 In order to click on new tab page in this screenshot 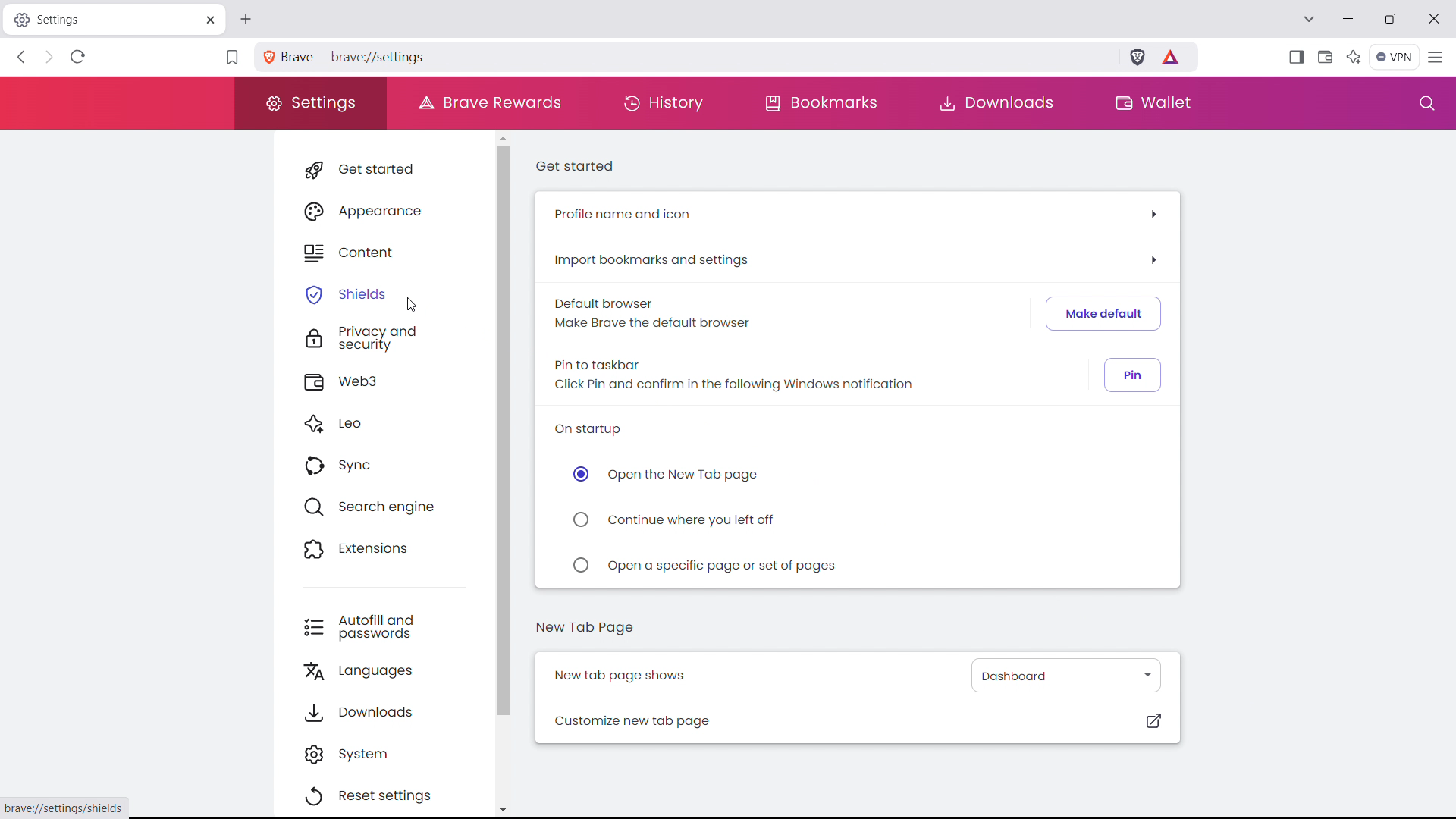, I will do `click(585, 628)`.